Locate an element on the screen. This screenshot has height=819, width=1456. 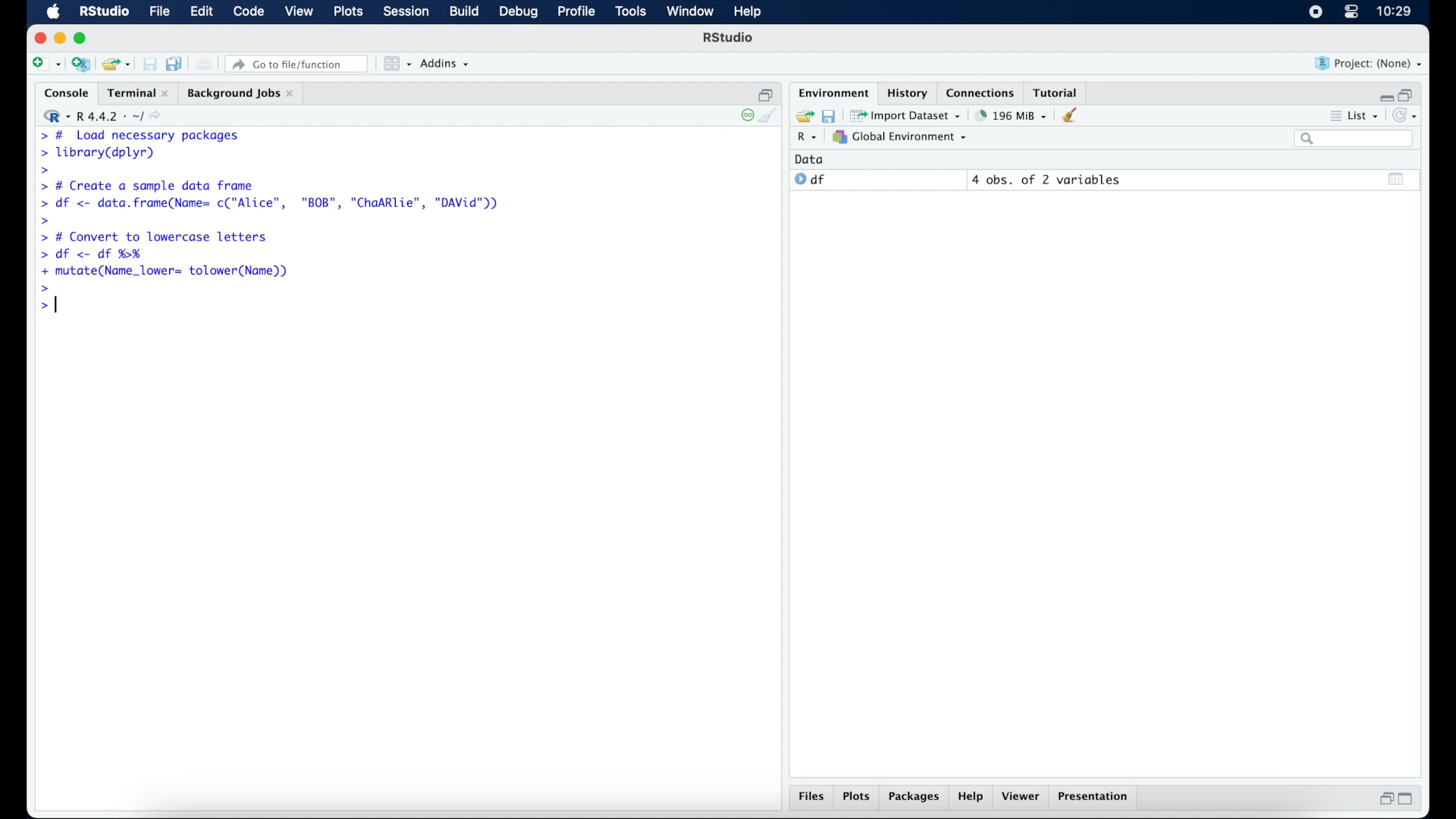
stop is located at coordinates (743, 115).